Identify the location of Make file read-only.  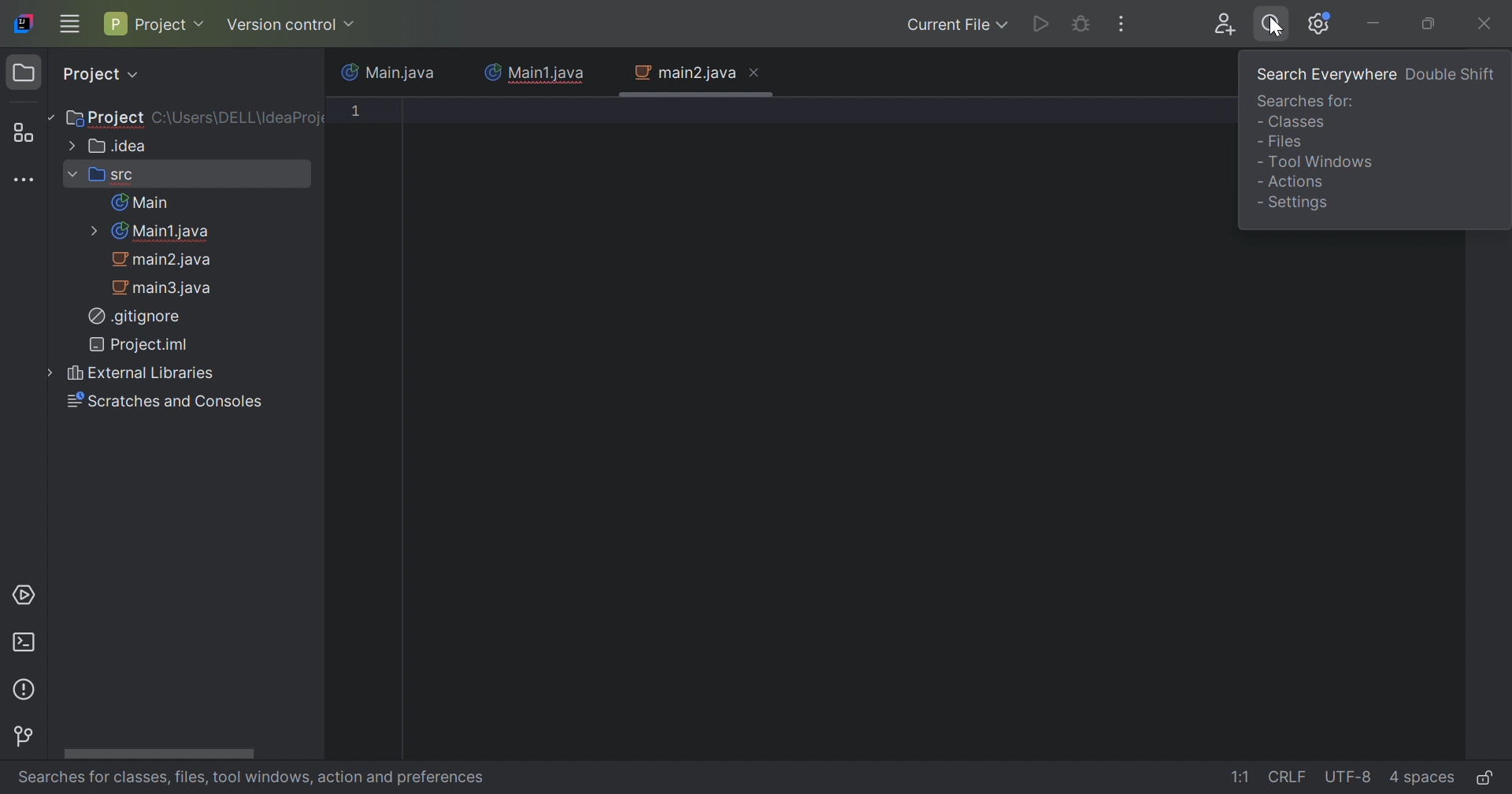
(1488, 781).